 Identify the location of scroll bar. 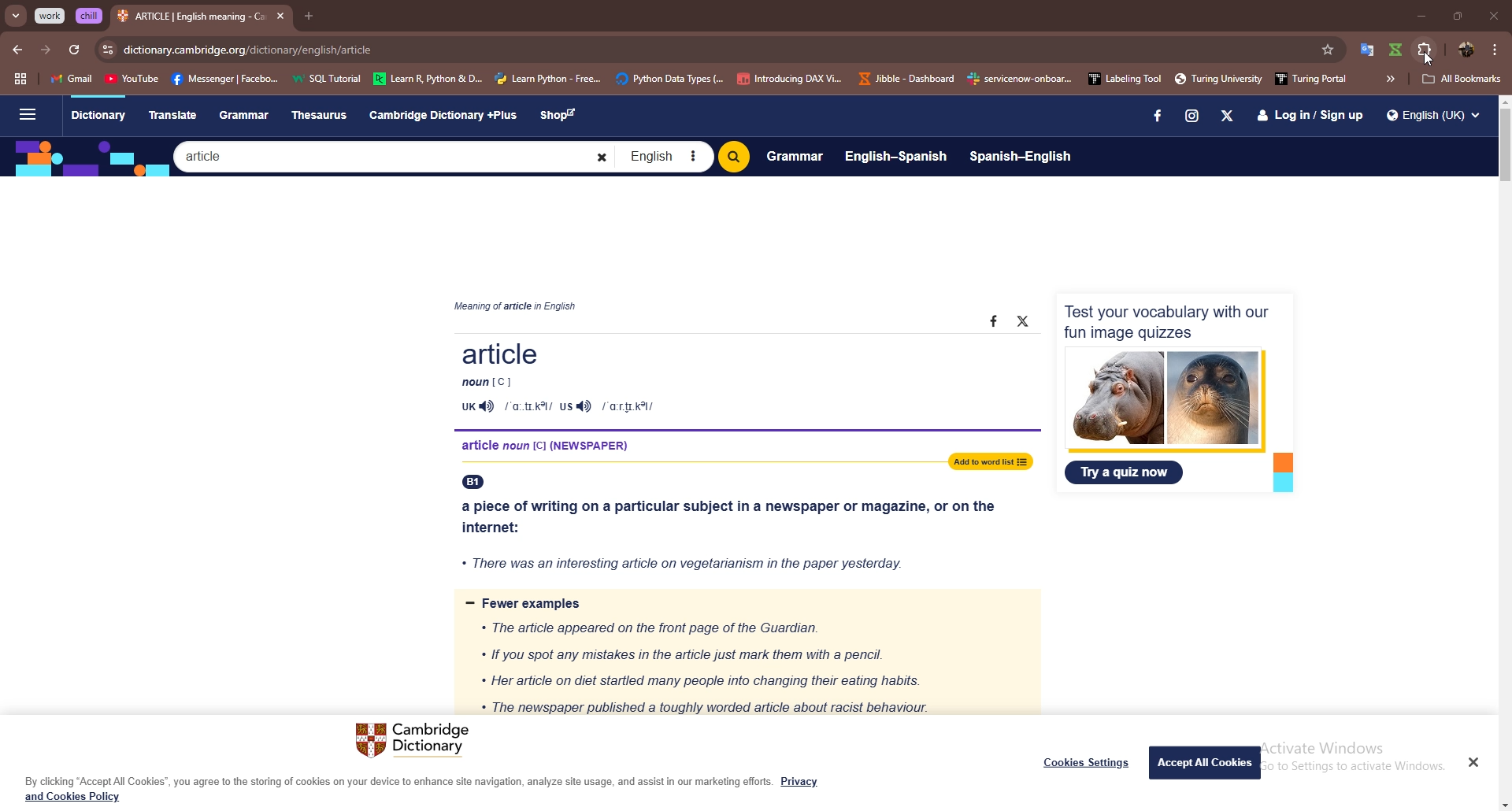
(1506, 147).